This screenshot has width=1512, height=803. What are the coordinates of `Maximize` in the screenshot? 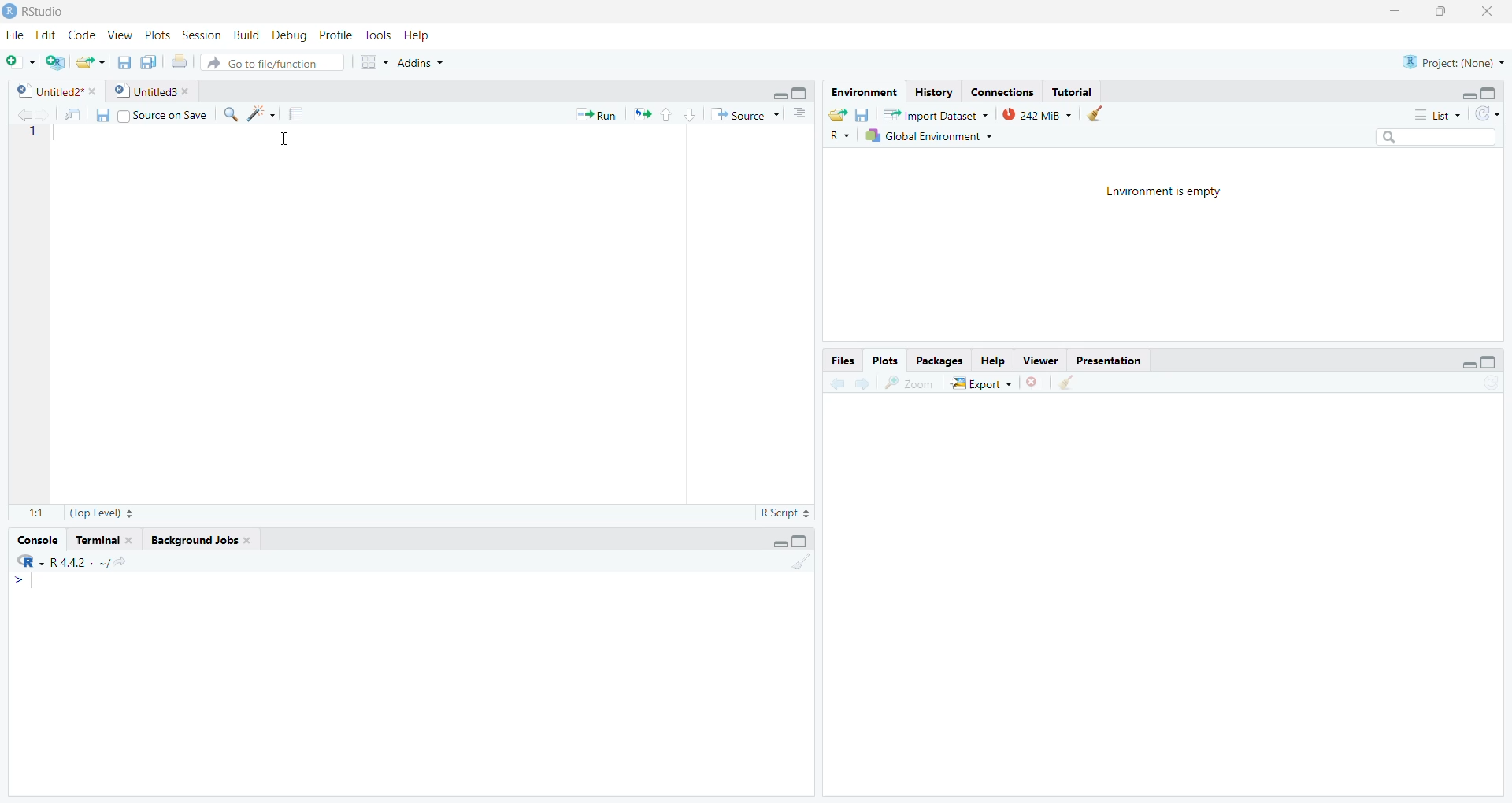 It's located at (1492, 94).